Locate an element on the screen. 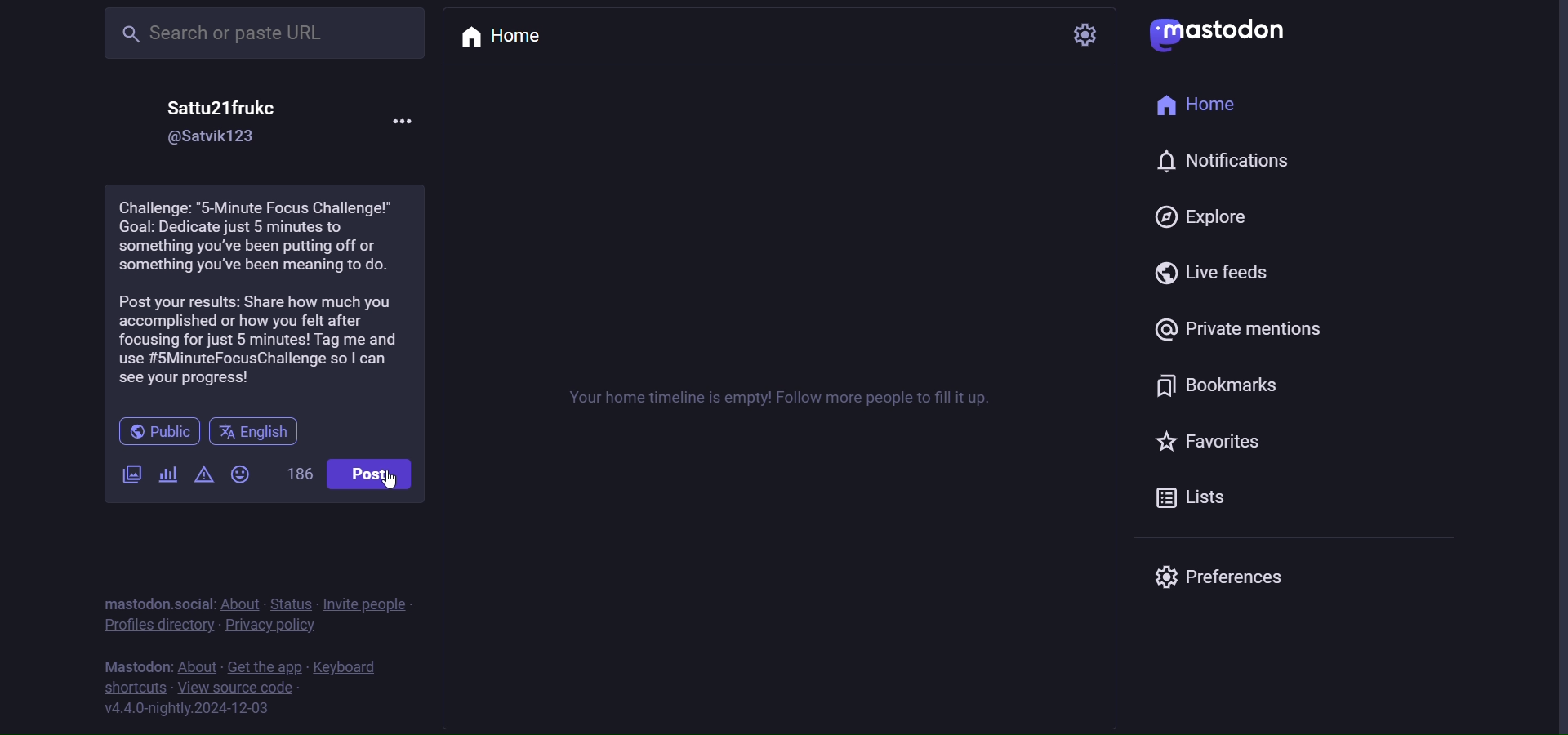 The width and height of the screenshot is (1568, 735). source code is located at coordinates (237, 688).